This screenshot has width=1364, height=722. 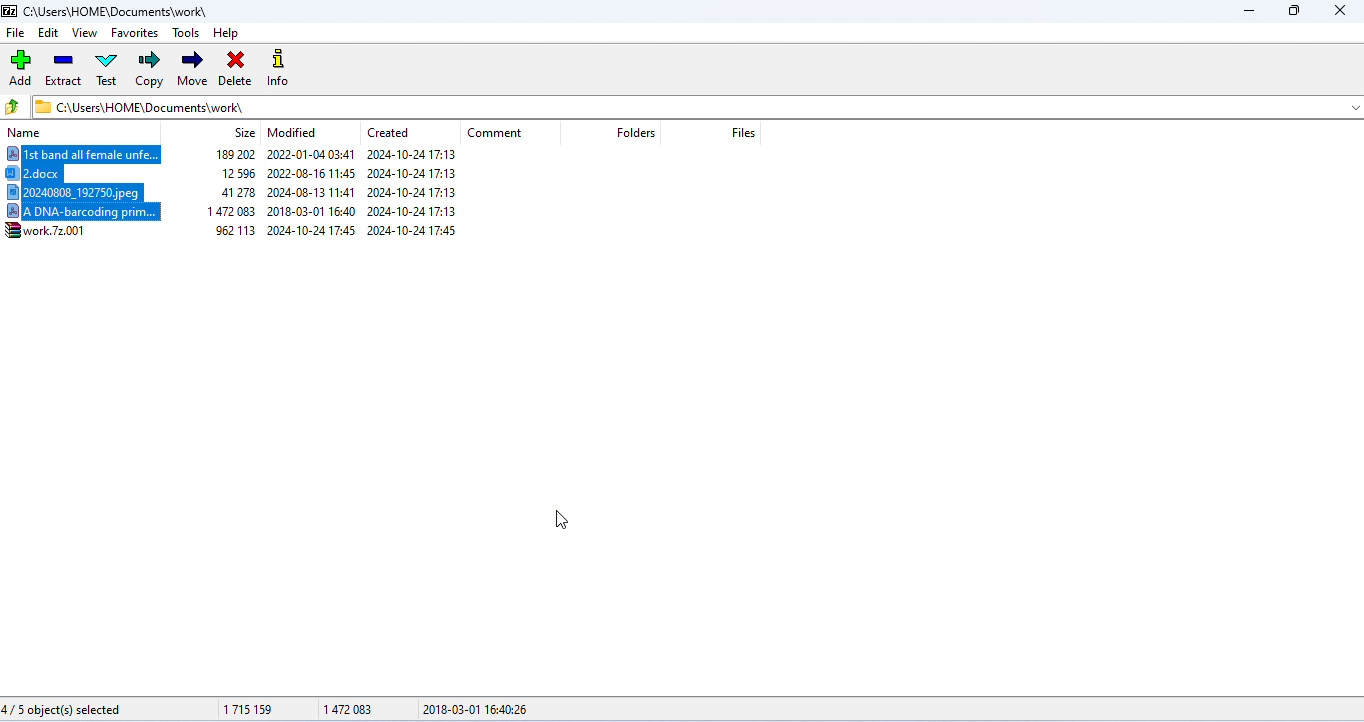 What do you see at coordinates (283, 70) in the screenshot?
I see `info` at bounding box center [283, 70].